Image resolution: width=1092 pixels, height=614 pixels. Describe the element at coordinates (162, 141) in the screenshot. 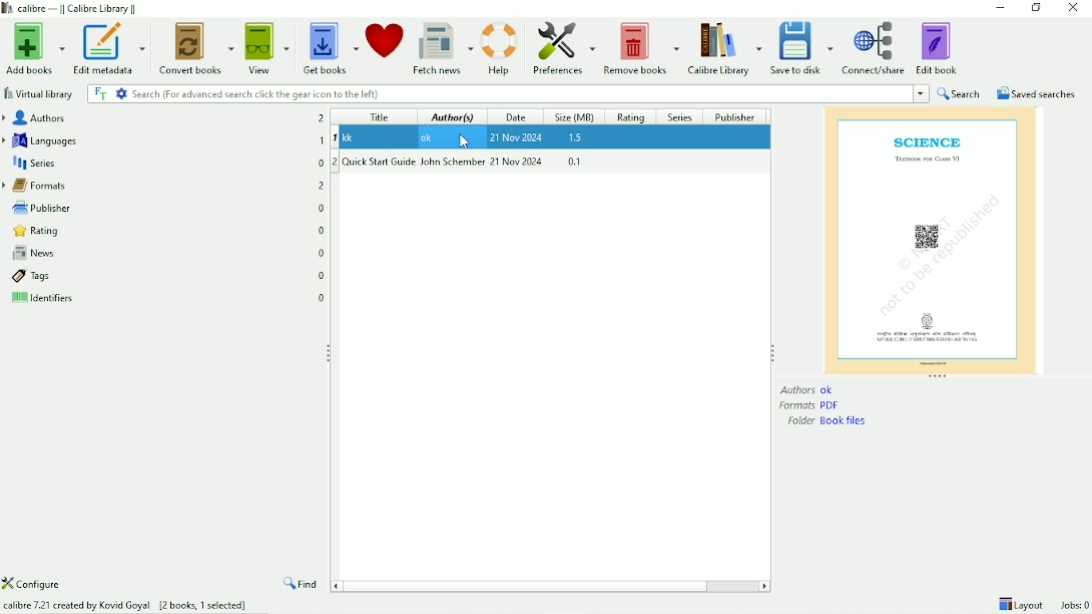

I see `Languages` at that location.